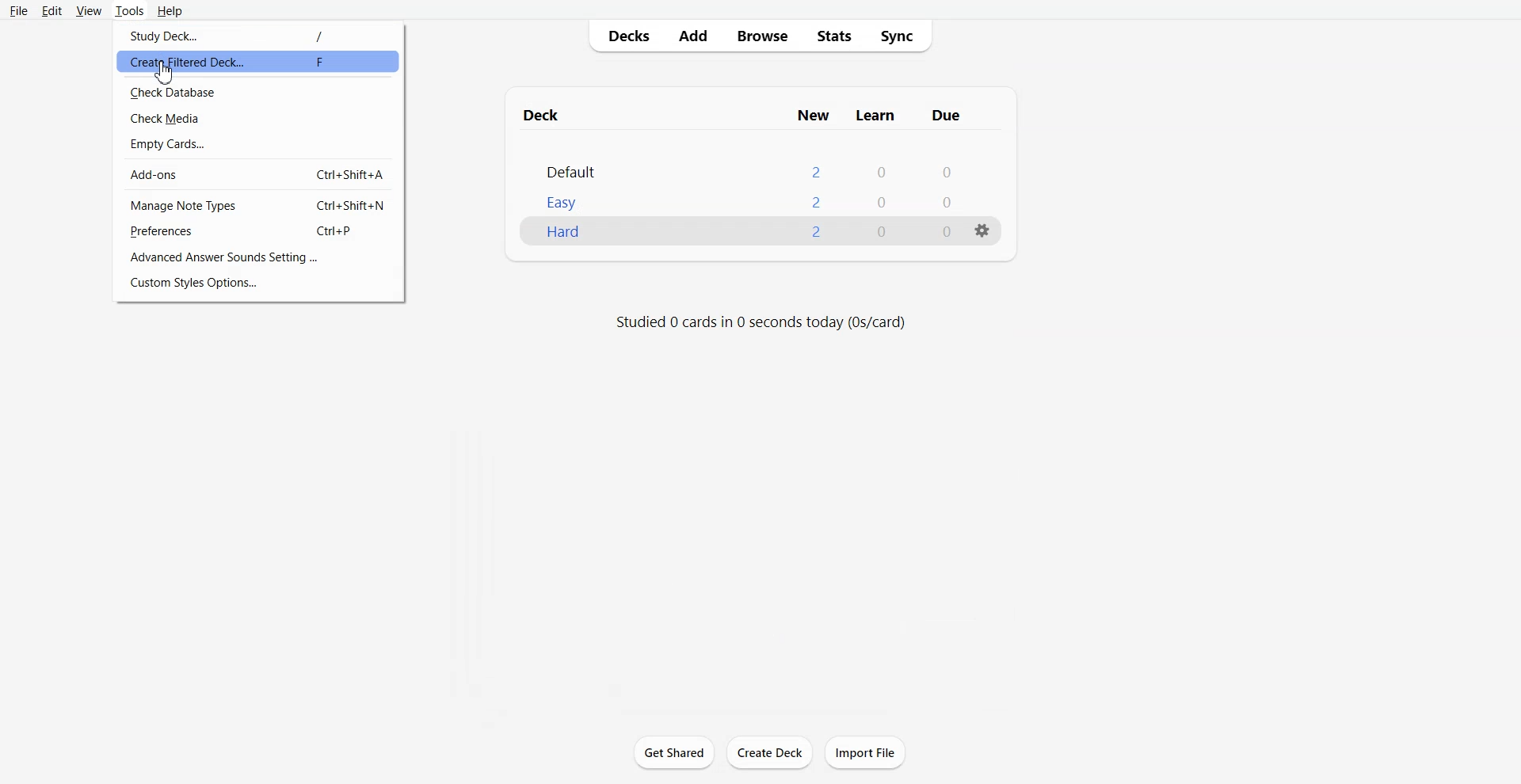  Describe the element at coordinates (19, 10) in the screenshot. I see `File` at that location.